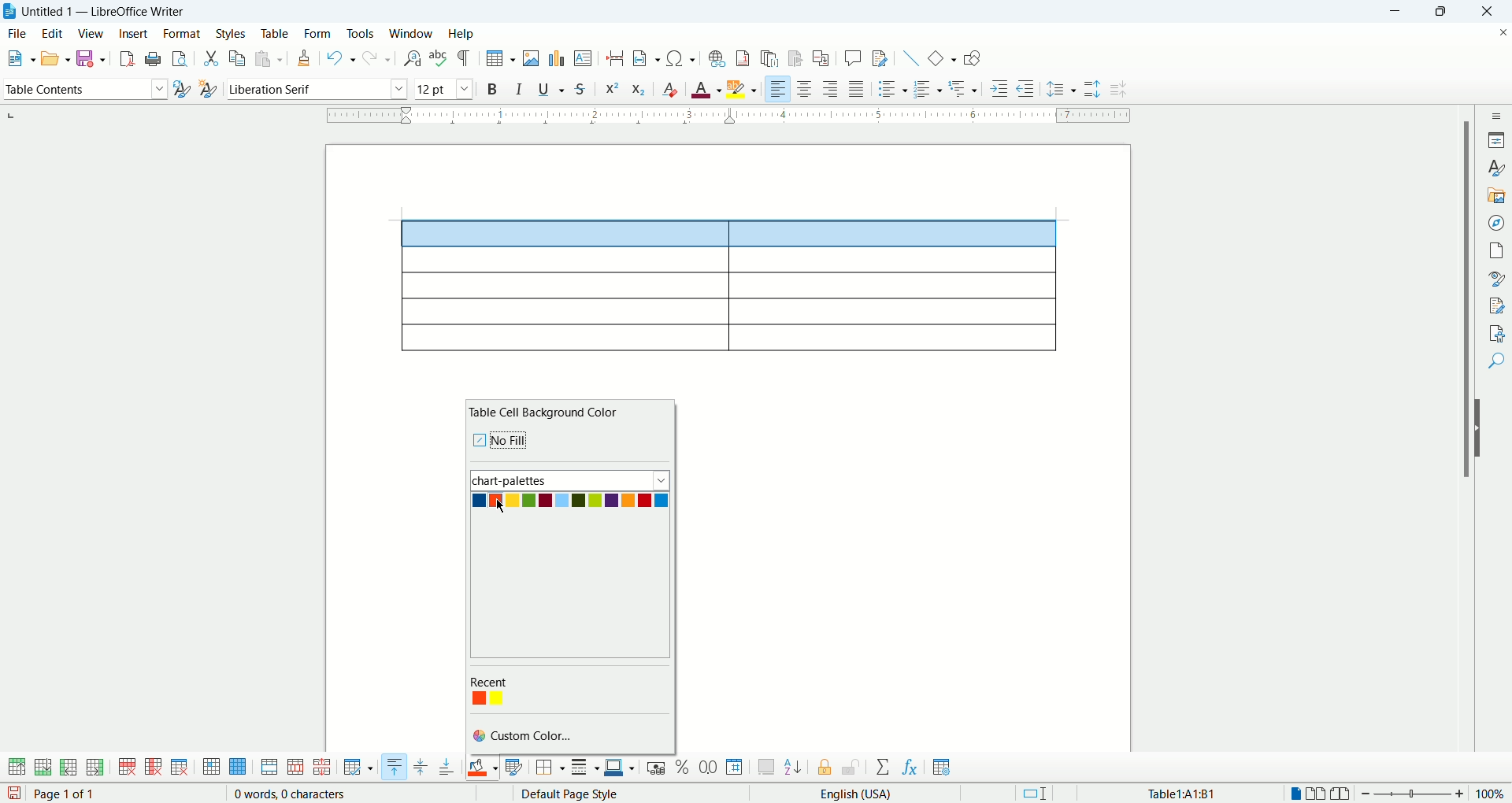  What do you see at coordinates (319, 35) in the screenshot?
I see `form` at bounding box center [319, 35].